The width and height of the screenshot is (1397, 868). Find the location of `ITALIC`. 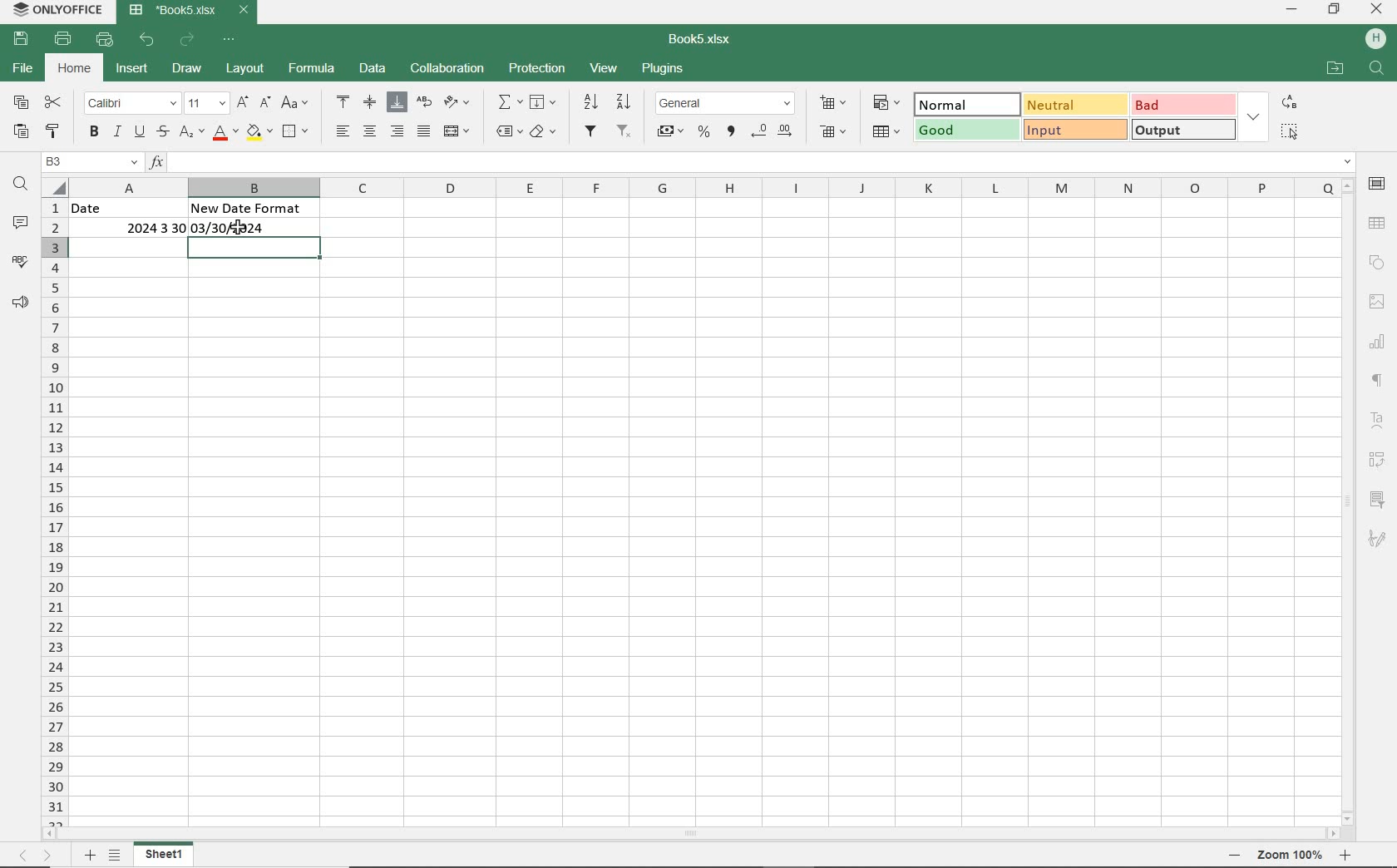

ITALIC is located at coordinates (117, 131).